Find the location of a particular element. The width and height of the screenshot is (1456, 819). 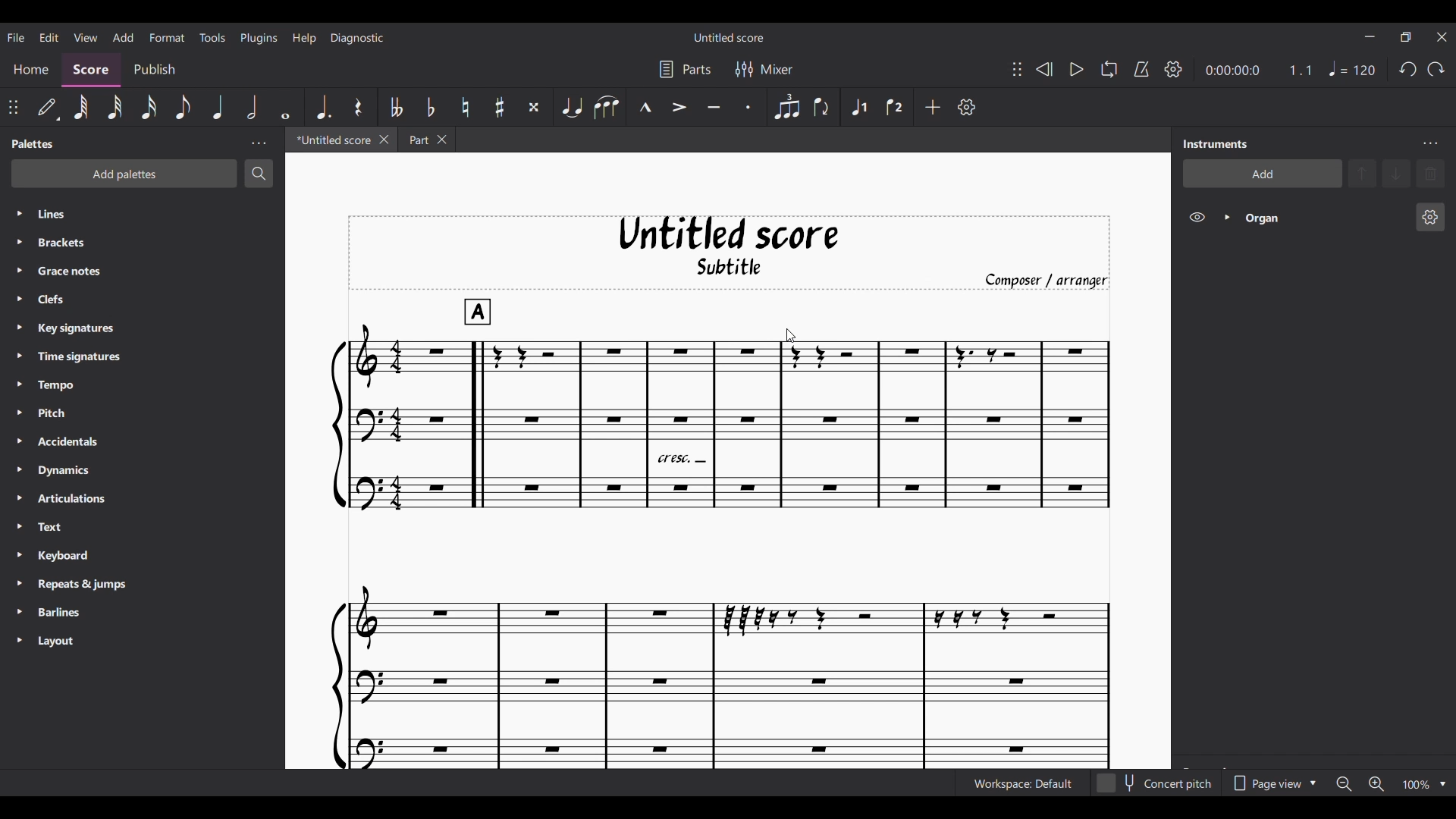

Toggle sharp is located at coordinates (500, 108).